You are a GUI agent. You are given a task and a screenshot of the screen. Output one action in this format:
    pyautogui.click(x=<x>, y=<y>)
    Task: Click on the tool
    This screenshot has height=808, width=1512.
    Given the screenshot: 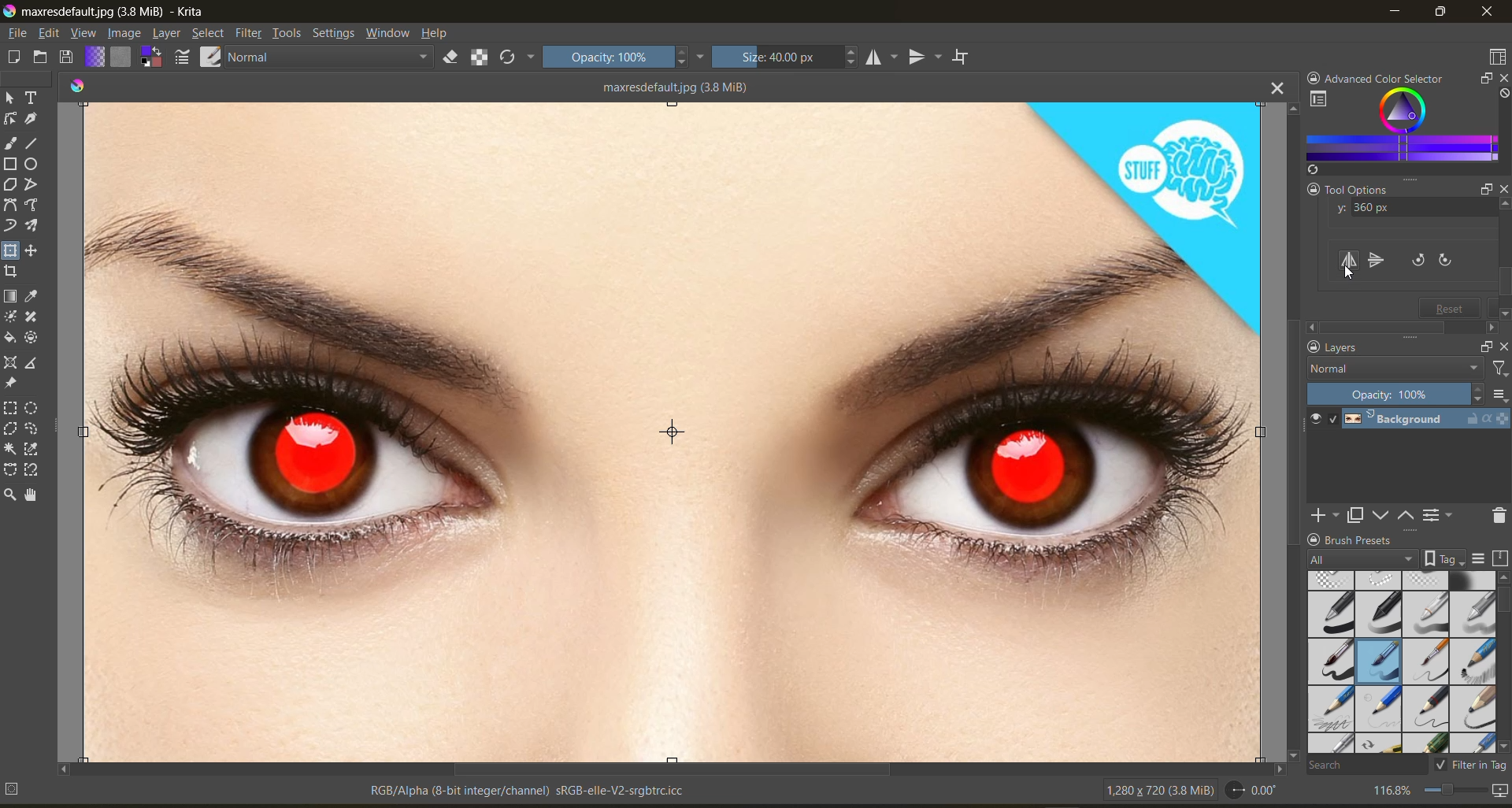 What is the action you would take?
    pyautogui.click(x=33, y=96)
    